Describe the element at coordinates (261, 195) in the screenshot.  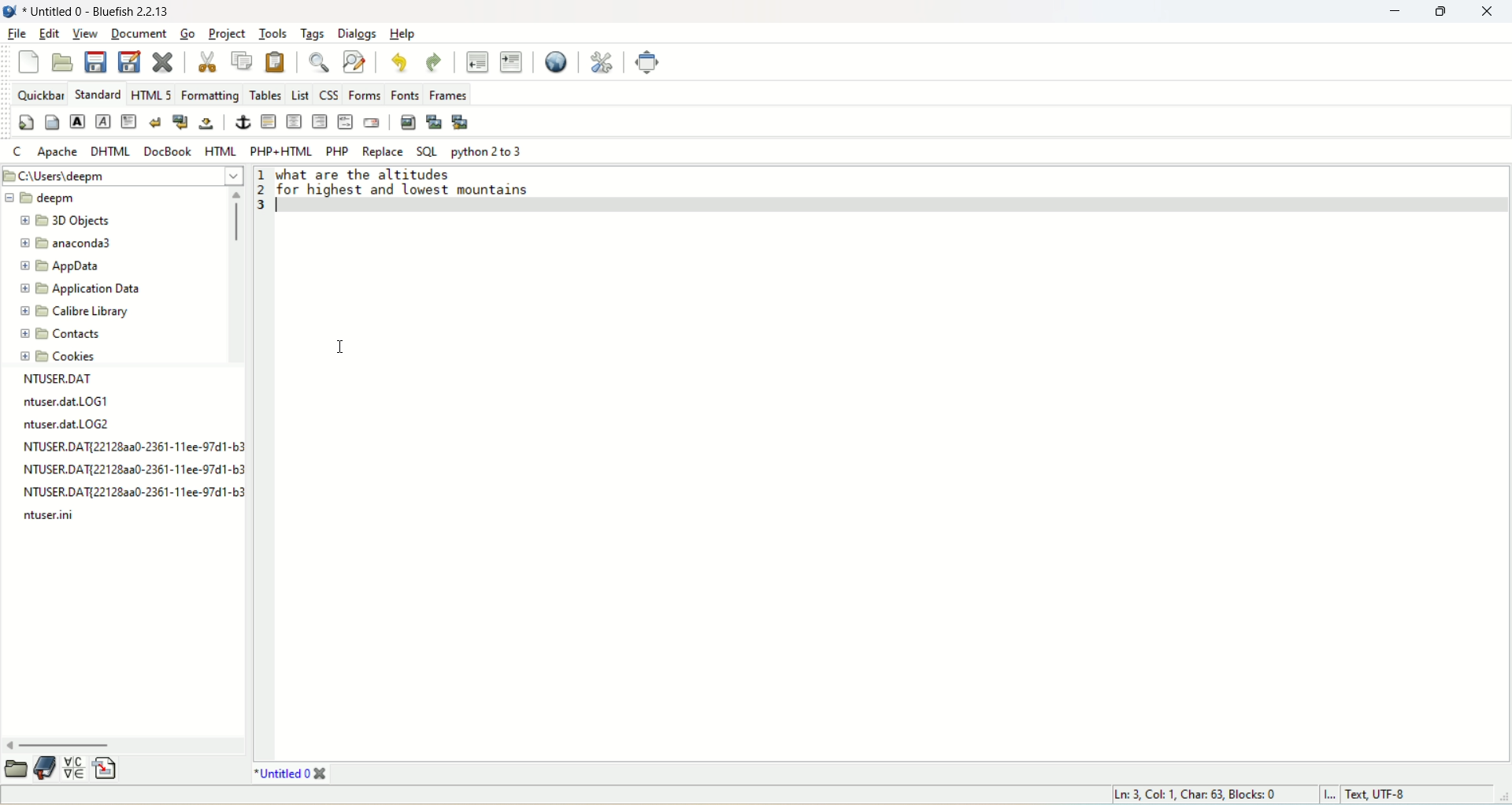
I see `1 2 3` at that location.